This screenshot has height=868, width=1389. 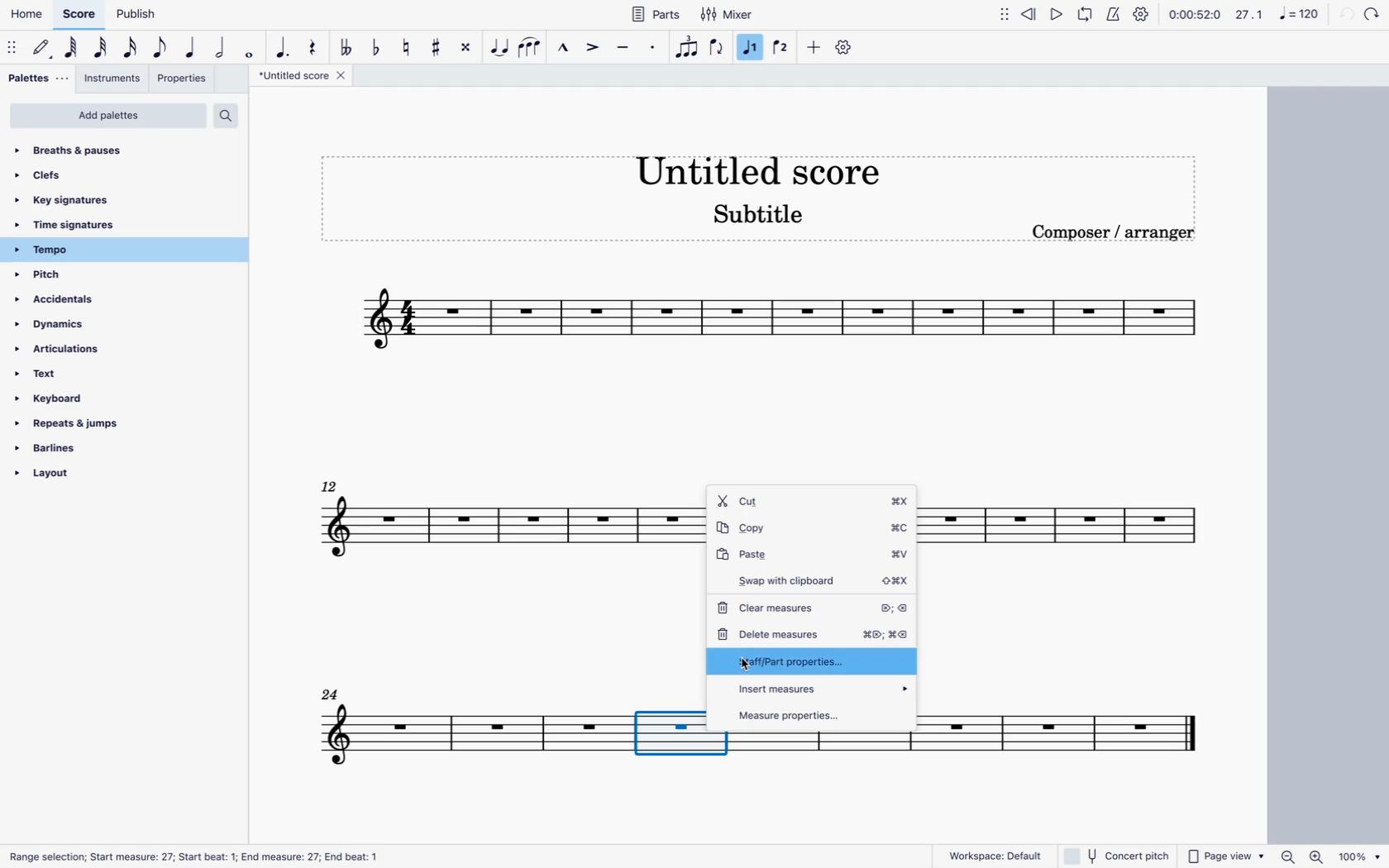 What do you see at coordinates (73, 151) in the screenshot?
I see `breaths & pauses` at bounding box center [73, 151].